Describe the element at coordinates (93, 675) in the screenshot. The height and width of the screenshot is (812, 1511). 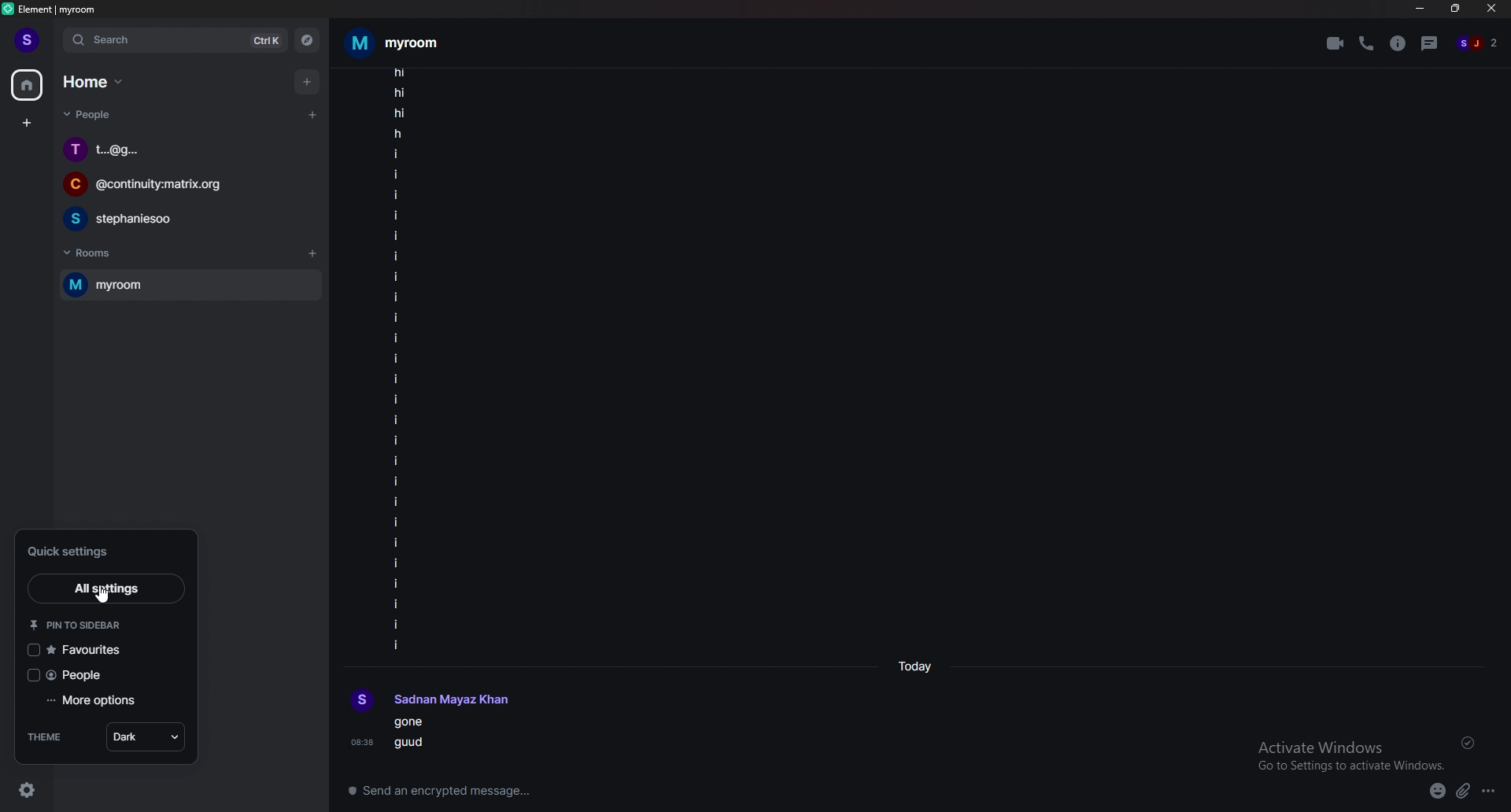
I see `people` at that location.